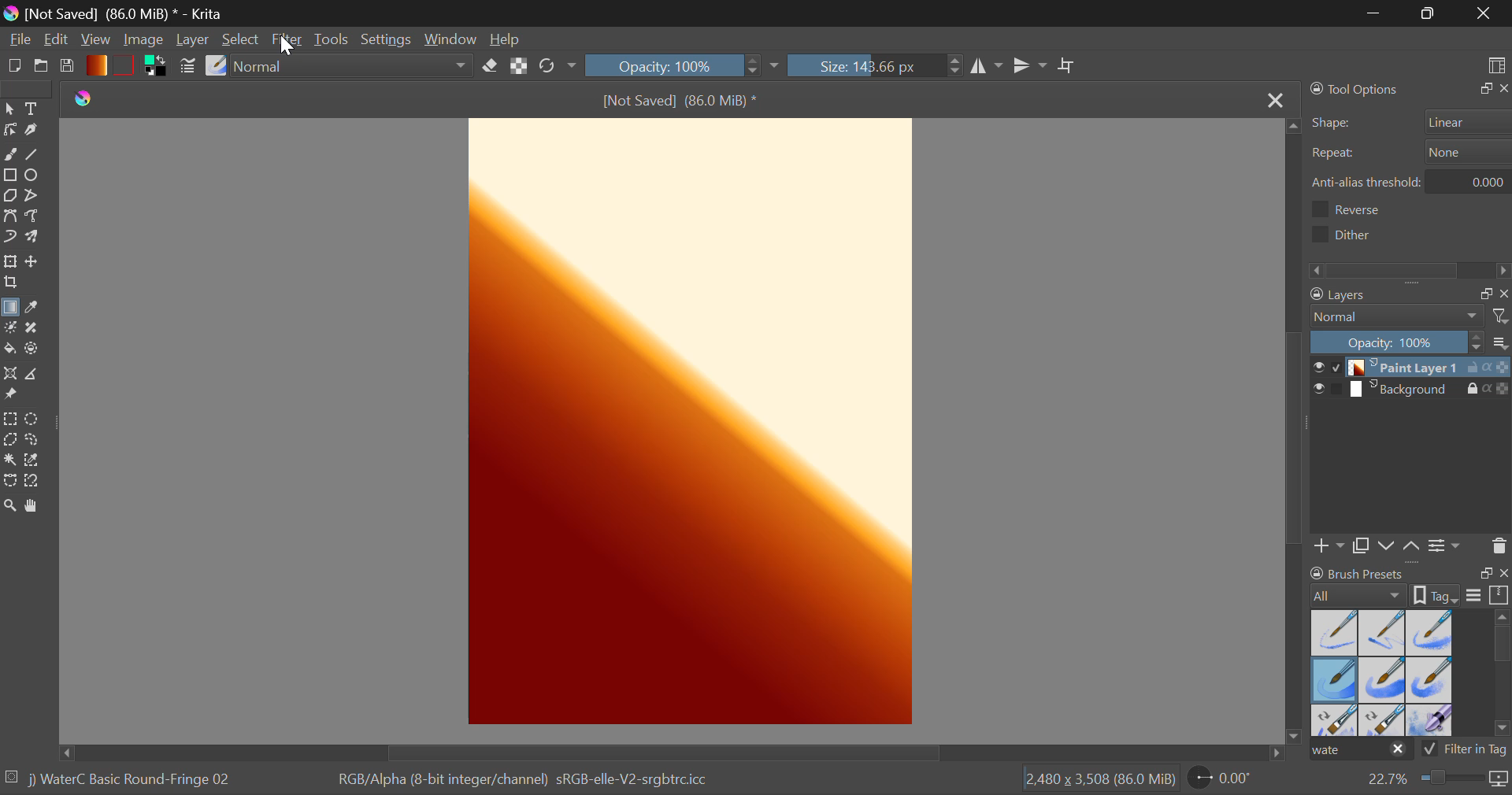 The image size is (1512, 795). What do you see at coordinates (94, 40) in the screenshot?
I see `View` at bounding box center [94, 40].